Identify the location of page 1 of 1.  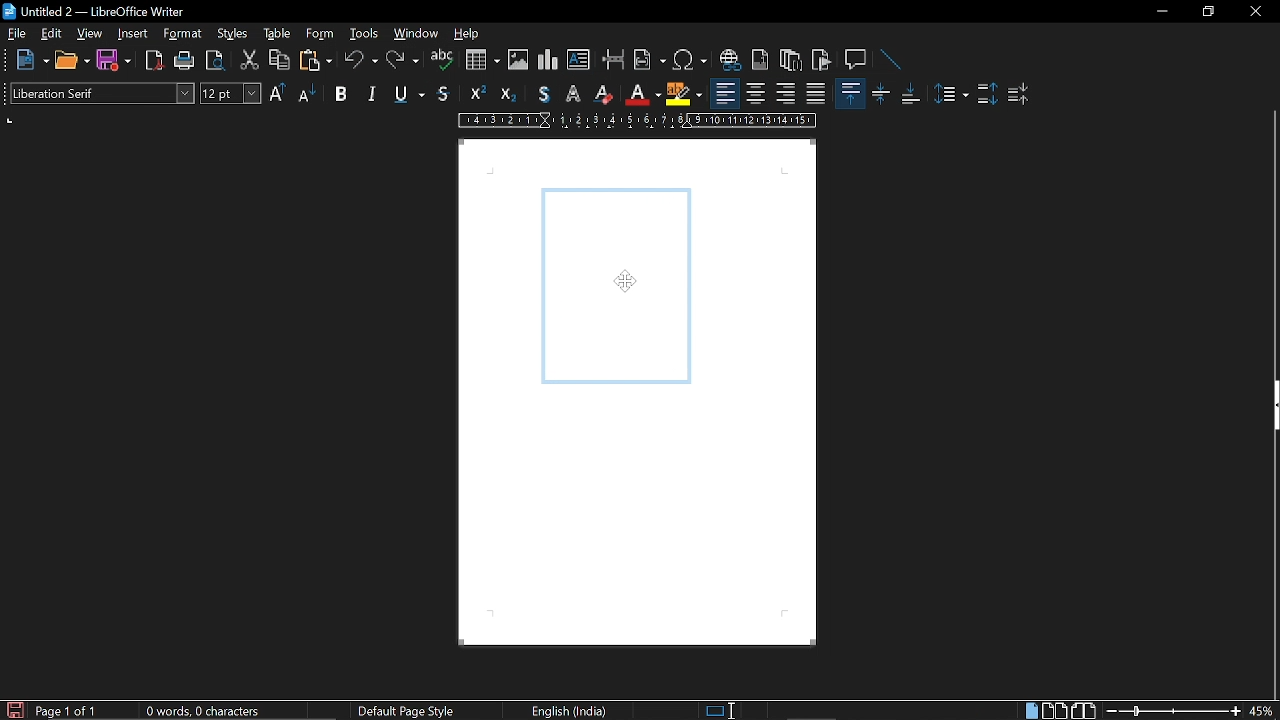
(71, 711).